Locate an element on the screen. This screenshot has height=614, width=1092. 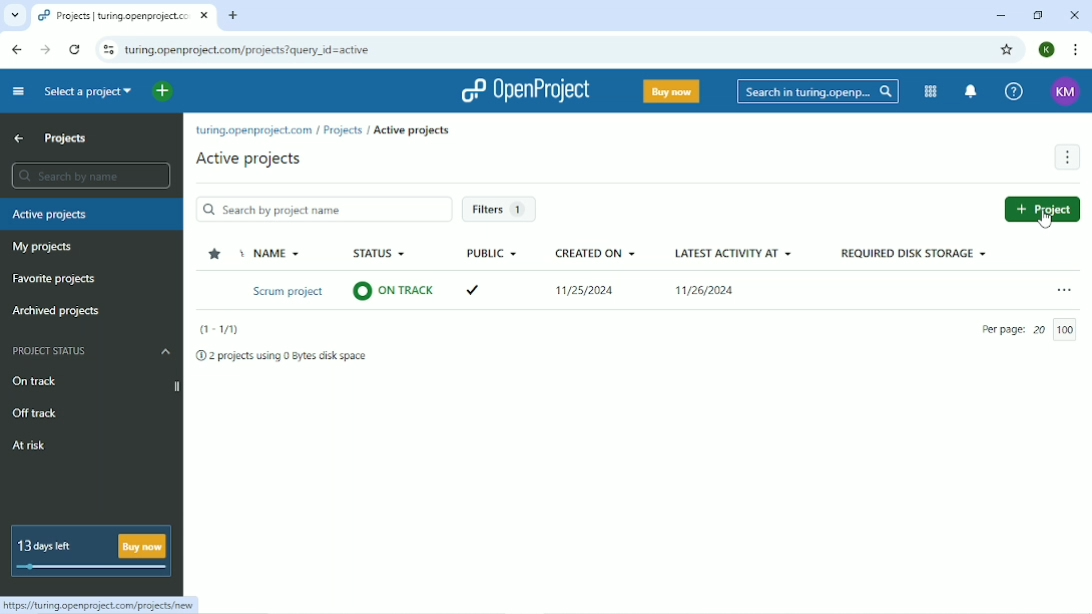
11/25/2024 is located at coordinates (581, 293).